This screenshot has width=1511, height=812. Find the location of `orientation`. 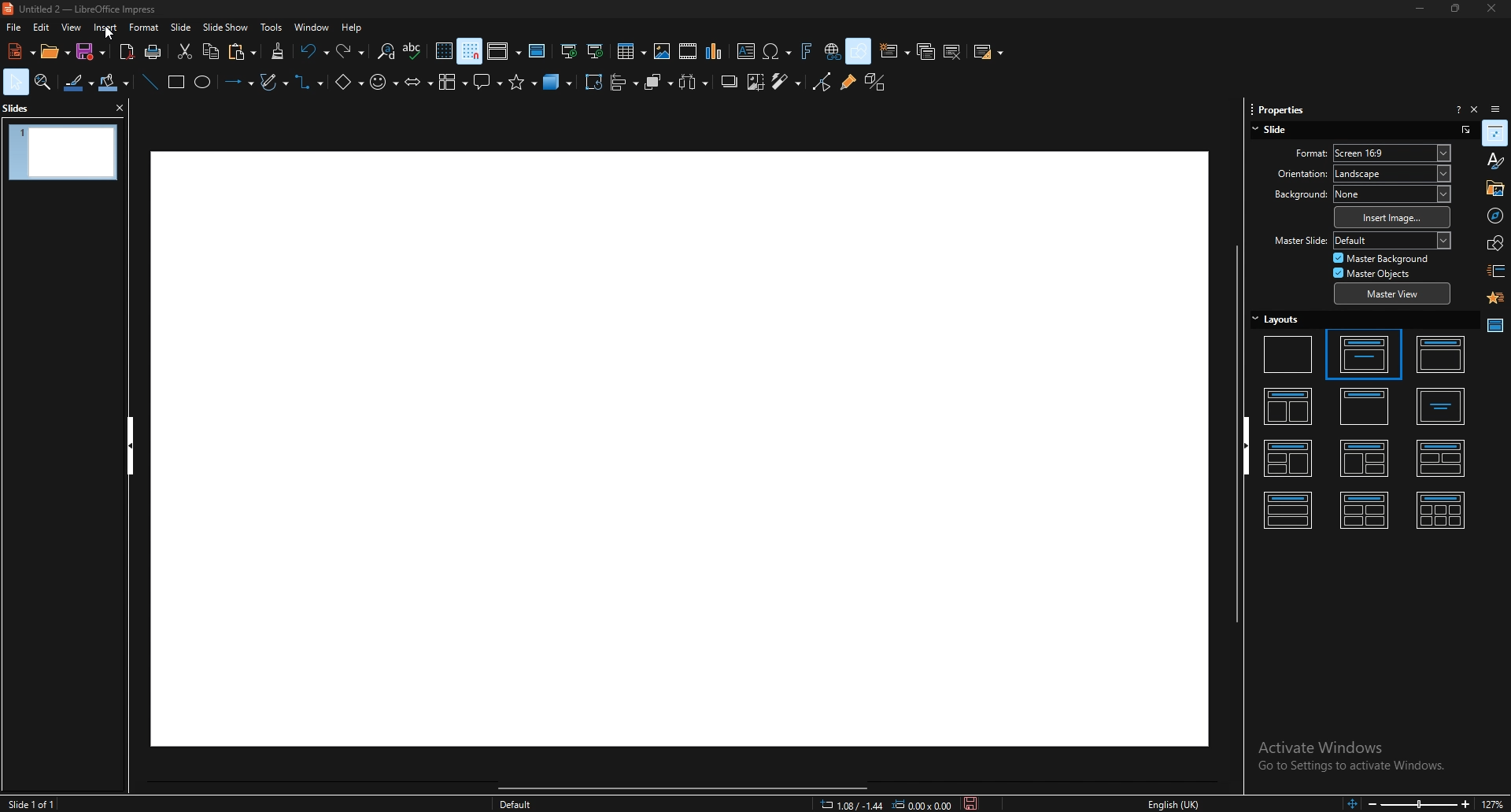

orientation is located at coordinates (1291, 173).